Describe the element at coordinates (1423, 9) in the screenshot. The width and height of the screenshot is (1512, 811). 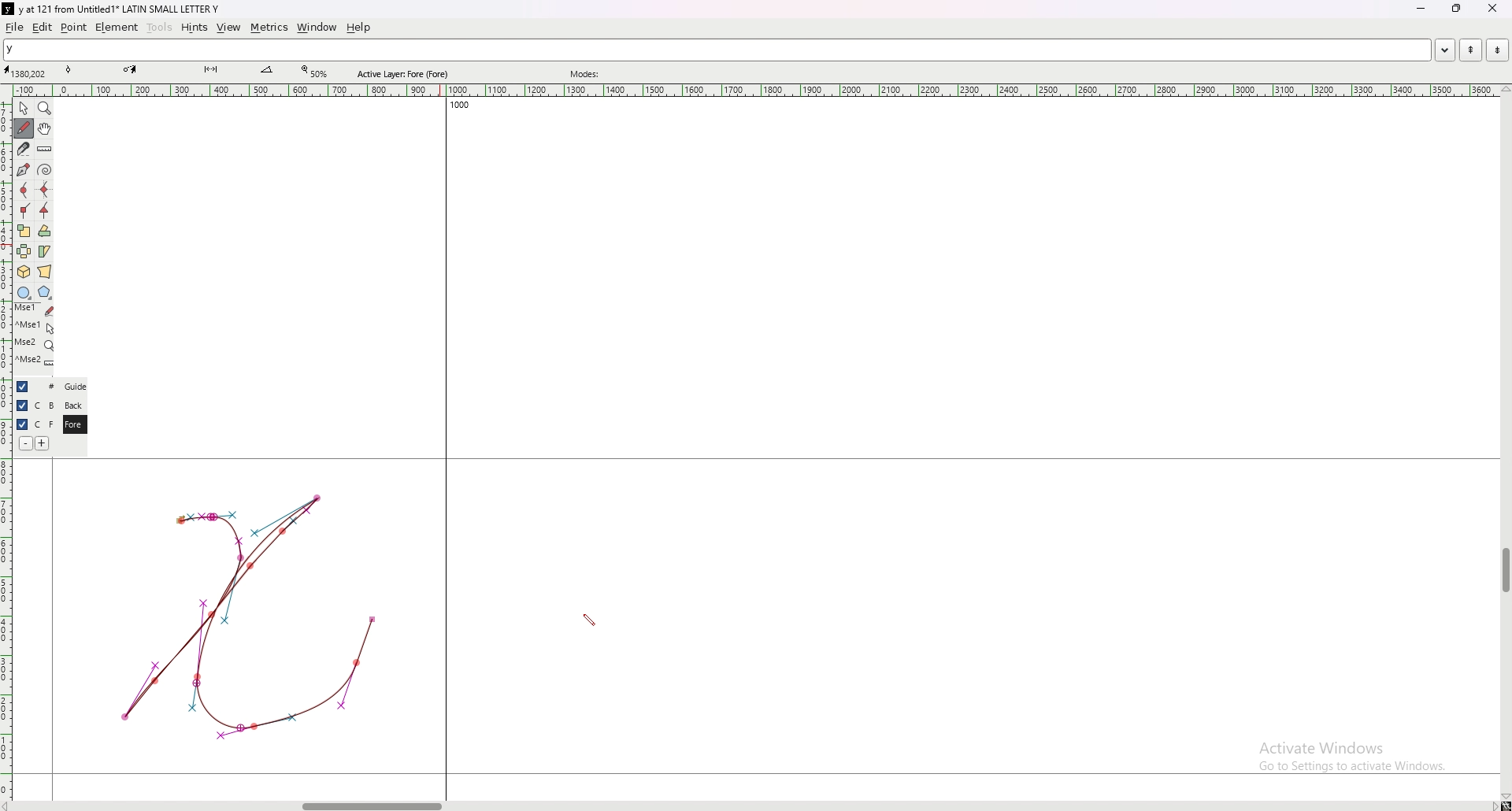
I see `minimize` at that location.